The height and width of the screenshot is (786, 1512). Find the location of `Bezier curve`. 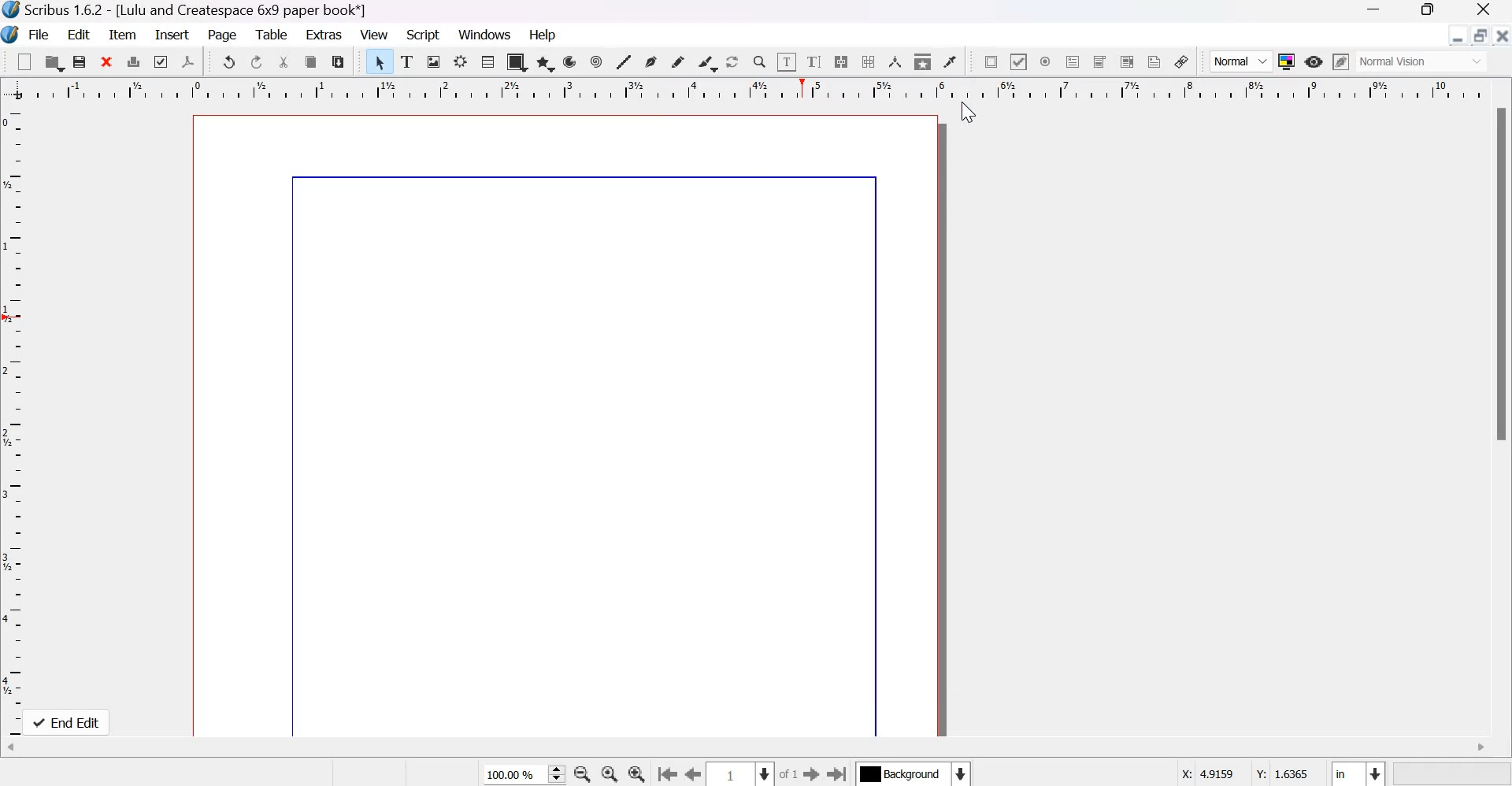

Bezier curve is located at coordinates (651, 64).